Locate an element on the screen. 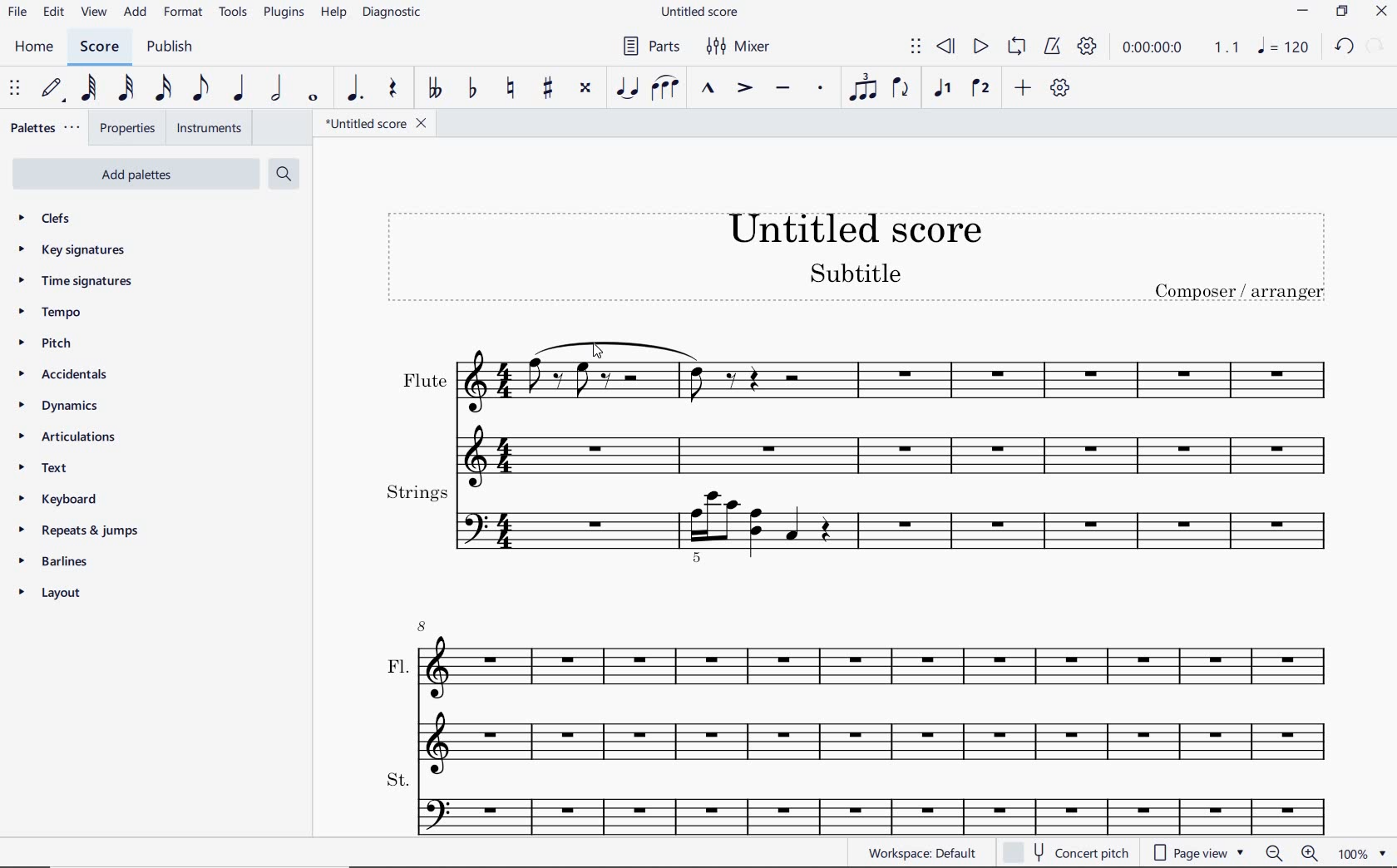 This screenshot has height=868, width=1397. cursor is located at coordinates (600, 350).